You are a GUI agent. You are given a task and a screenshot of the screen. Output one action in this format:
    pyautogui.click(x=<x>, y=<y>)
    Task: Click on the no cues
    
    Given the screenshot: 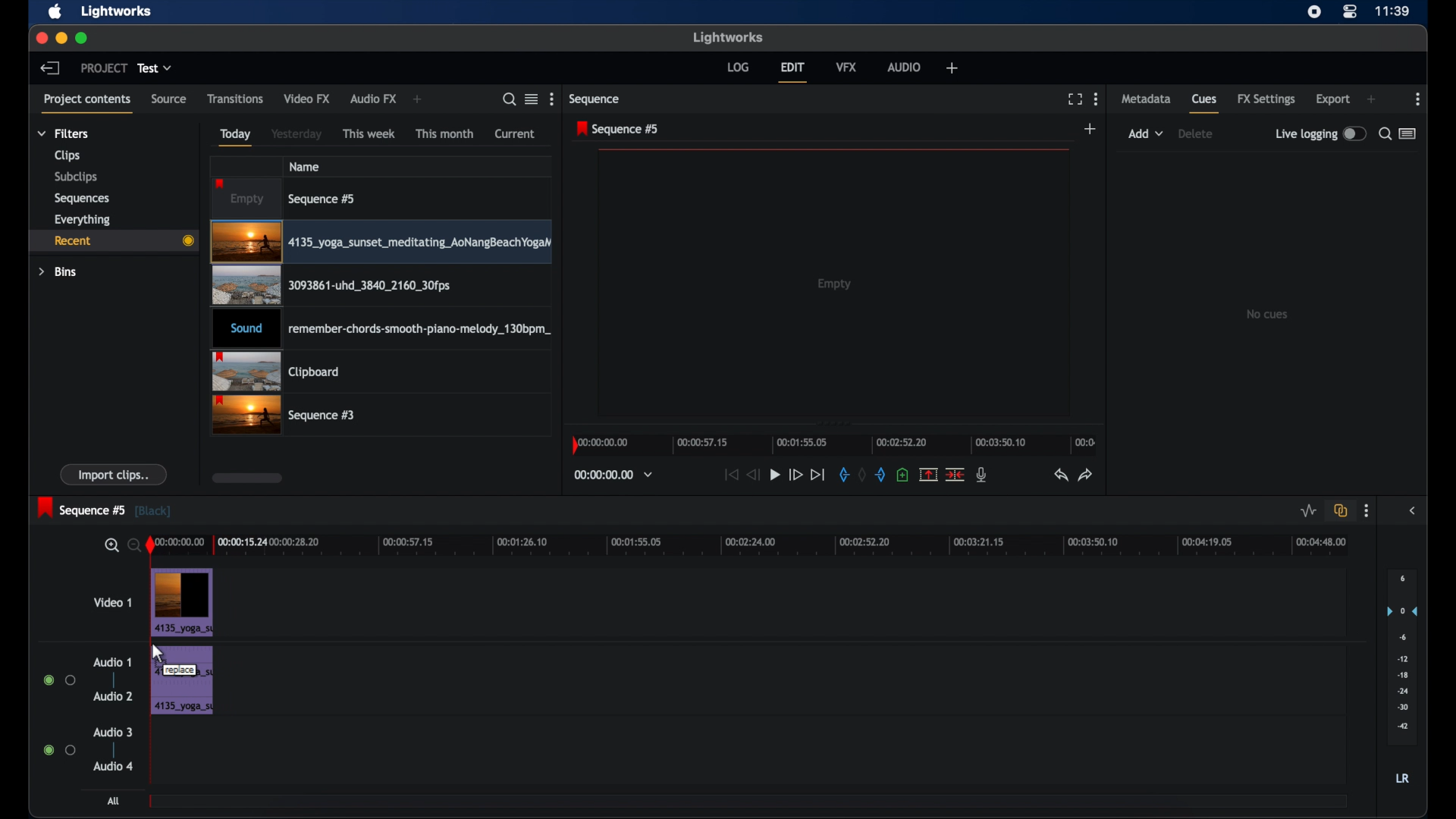 What is the action you would take?
    pyautogui.click(x=1269, y=314)
    